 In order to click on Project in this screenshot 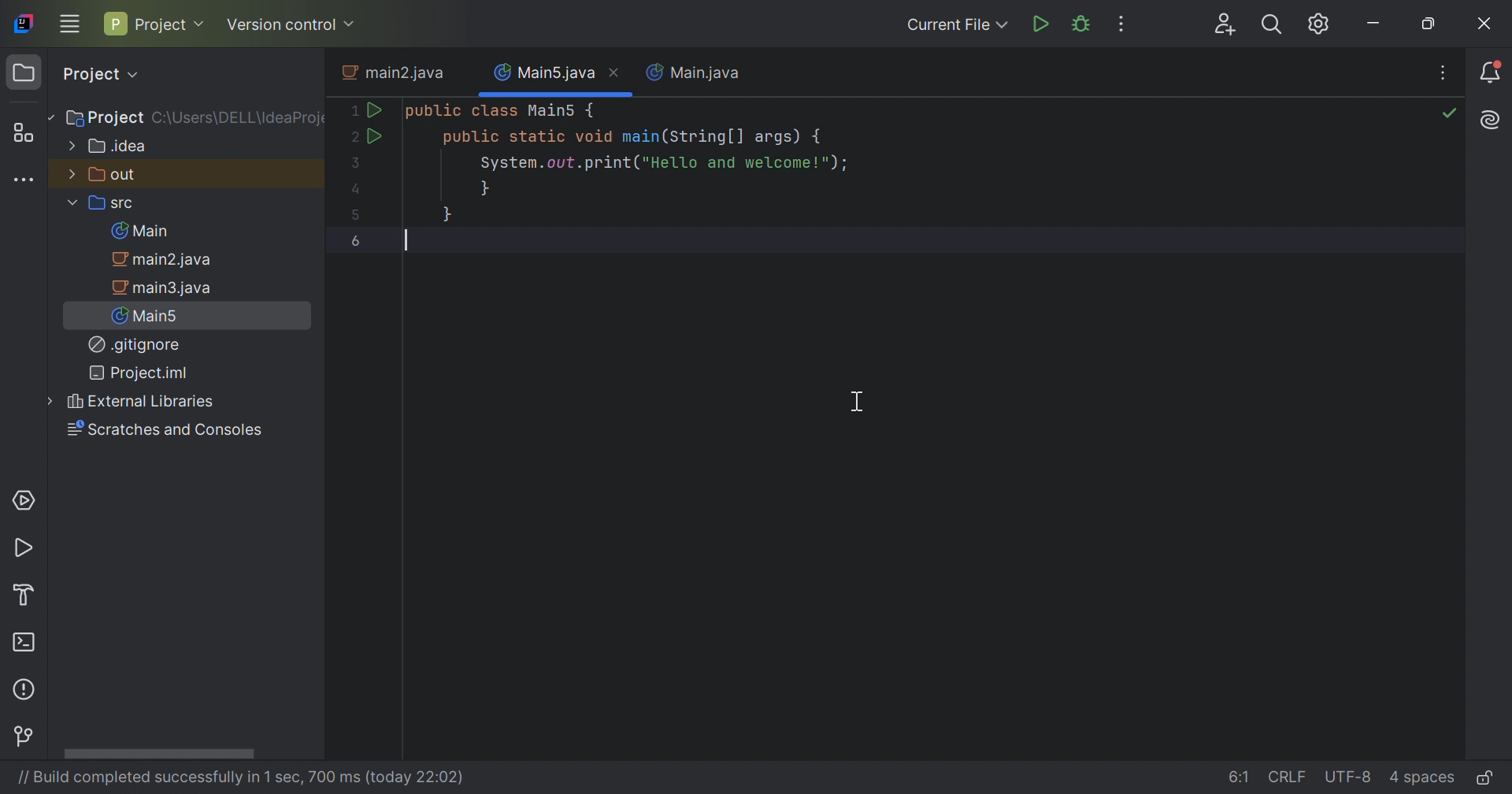, I will do `click(154, 23)`.